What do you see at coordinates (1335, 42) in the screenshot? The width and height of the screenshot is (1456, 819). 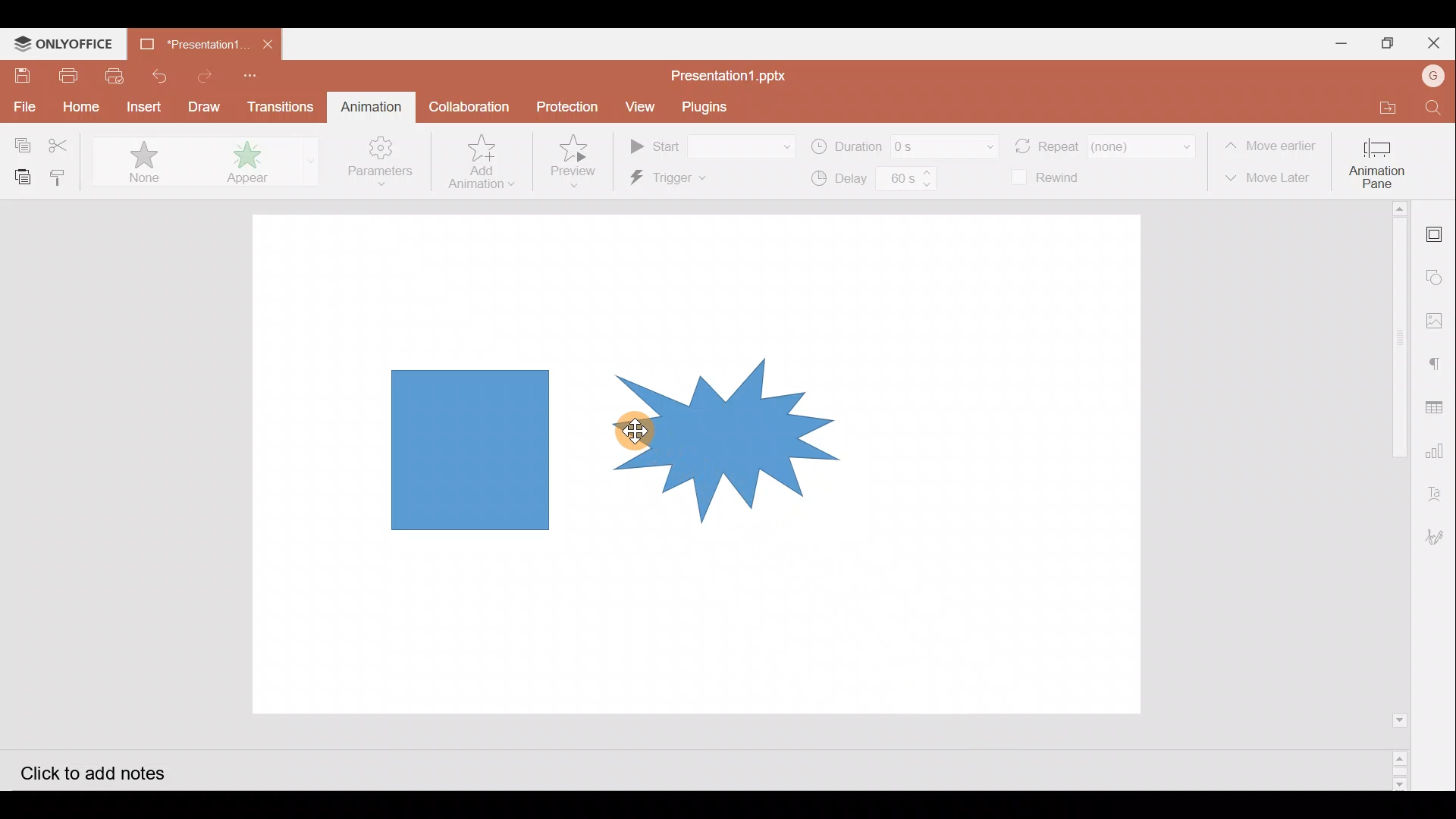 I see `Minimize` at bounding box center [1335, 42].